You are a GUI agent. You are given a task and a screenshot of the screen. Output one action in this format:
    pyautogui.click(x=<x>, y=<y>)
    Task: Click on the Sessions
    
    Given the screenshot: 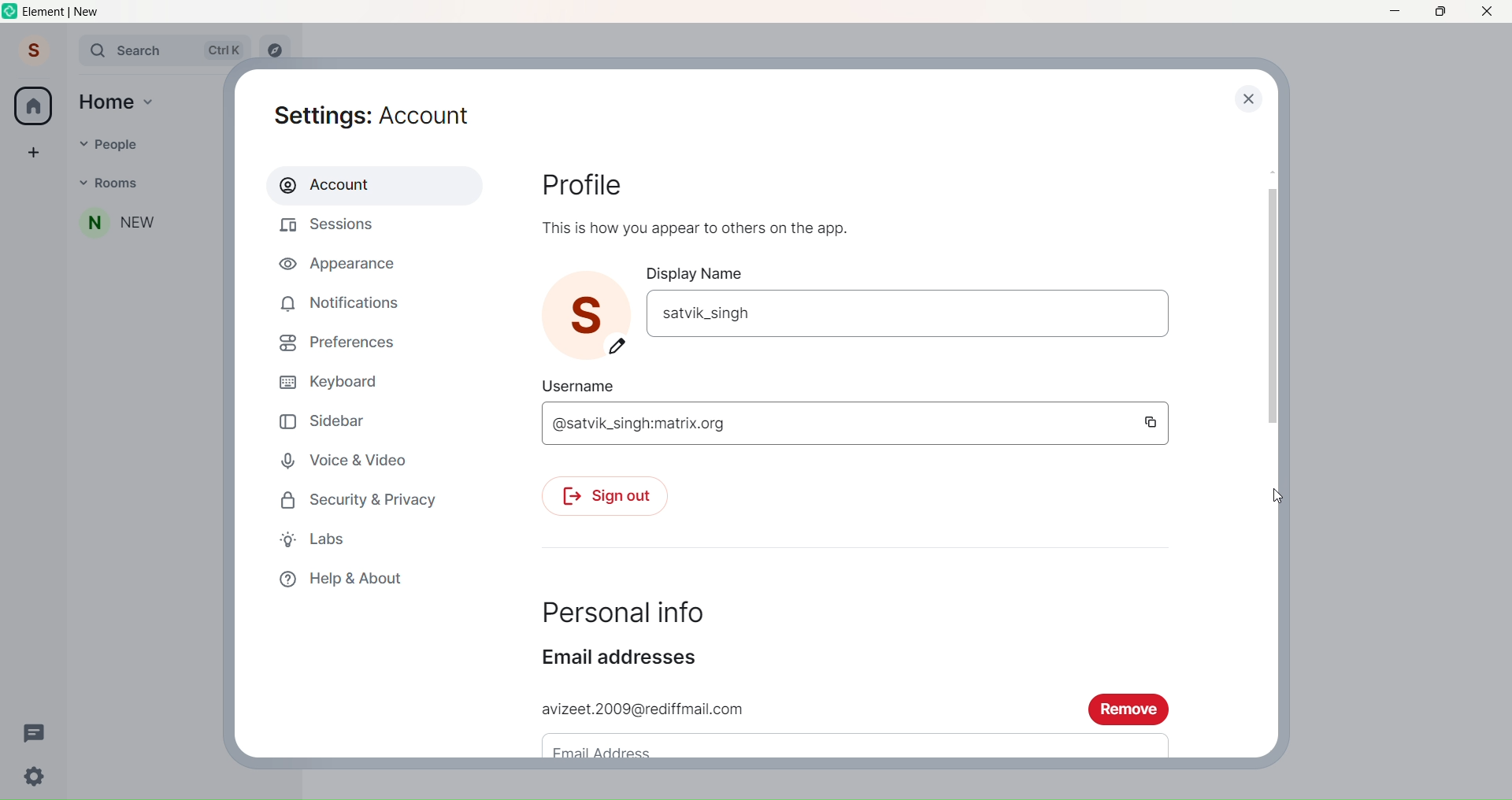 What is the action you would take?
    pyautogui.click(x=339, y=226)
    